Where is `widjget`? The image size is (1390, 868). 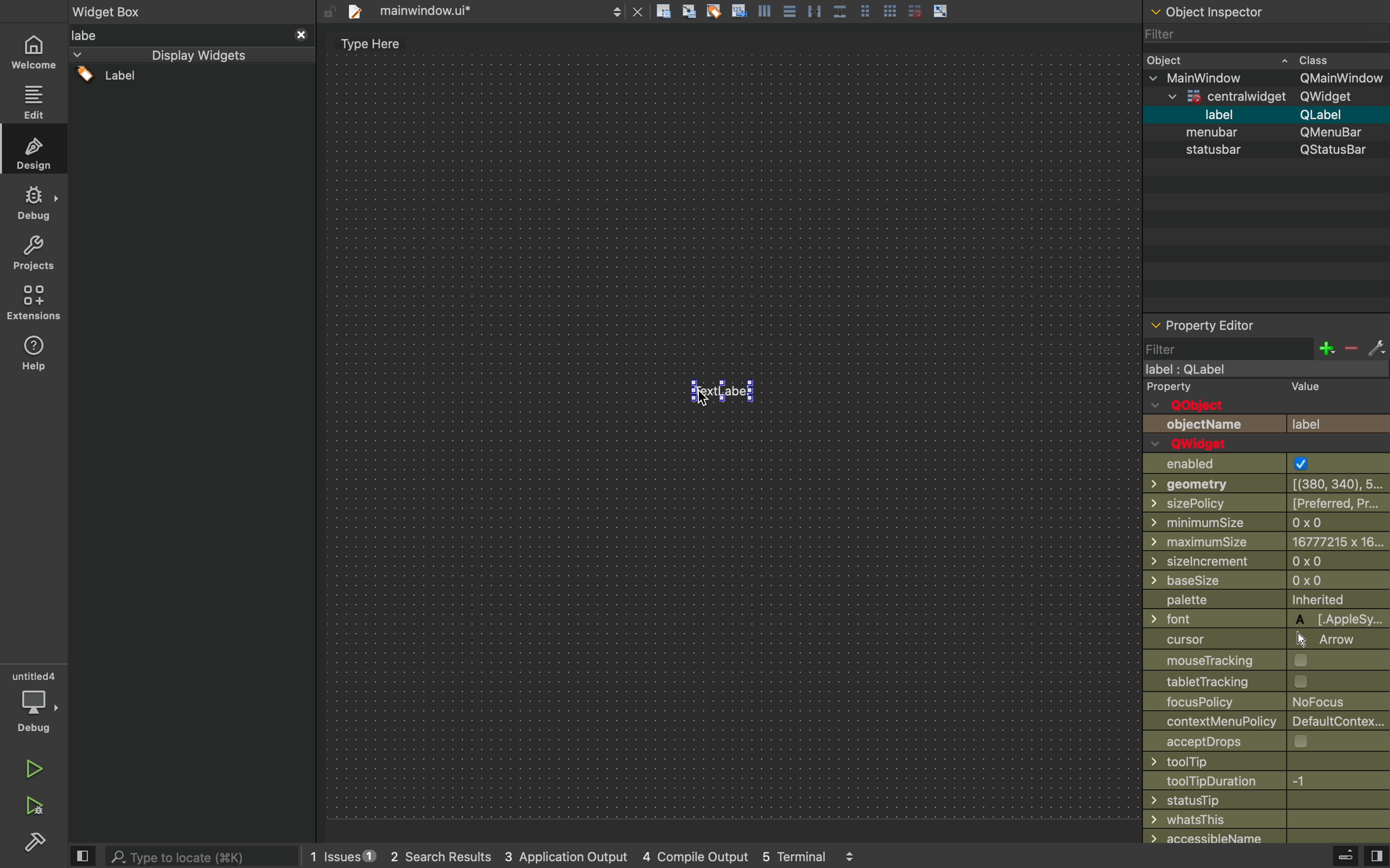
widjget is located at coordinates (1275, 96).